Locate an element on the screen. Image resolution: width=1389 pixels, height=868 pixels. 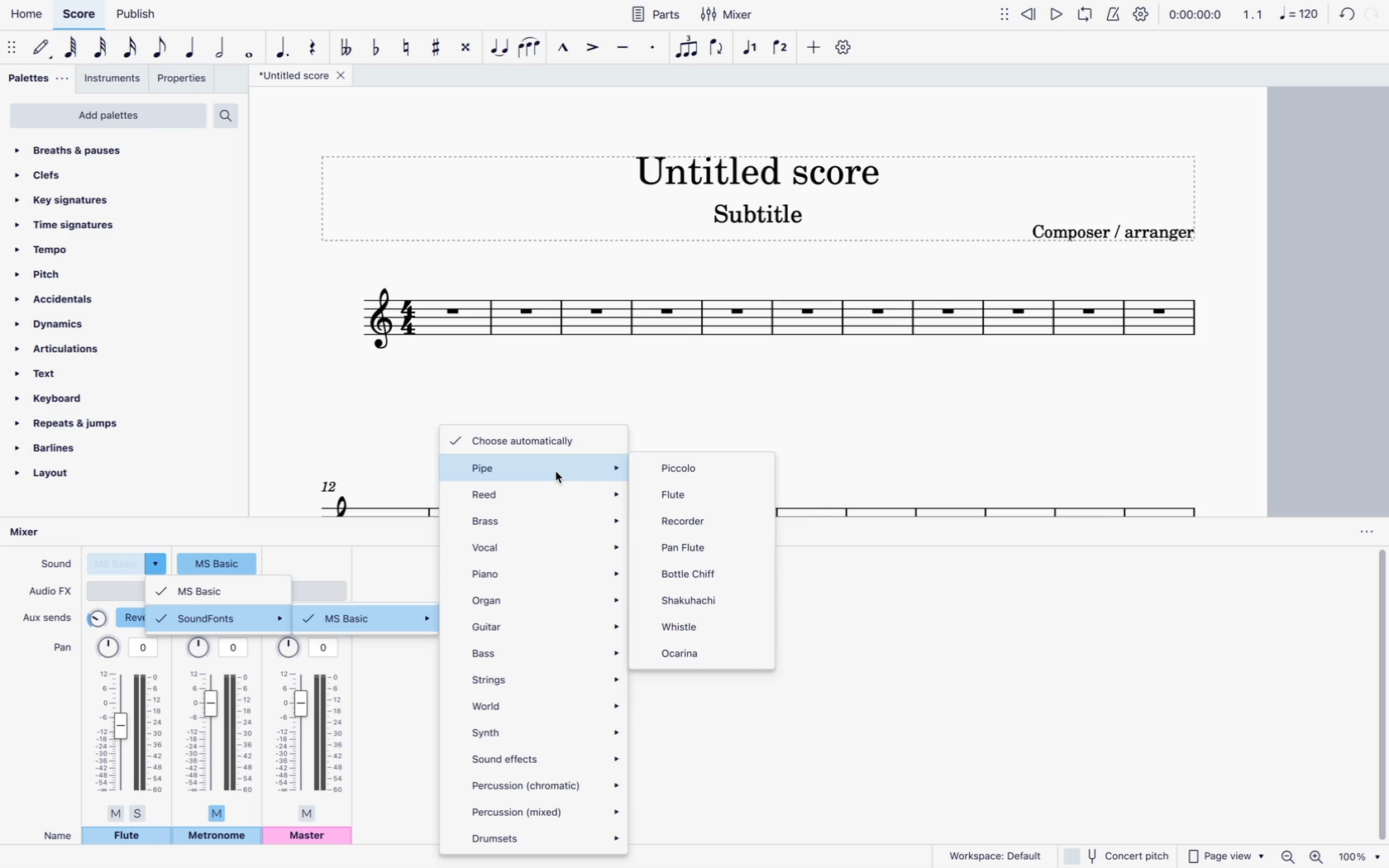
score is located at coordinates (79, 15).